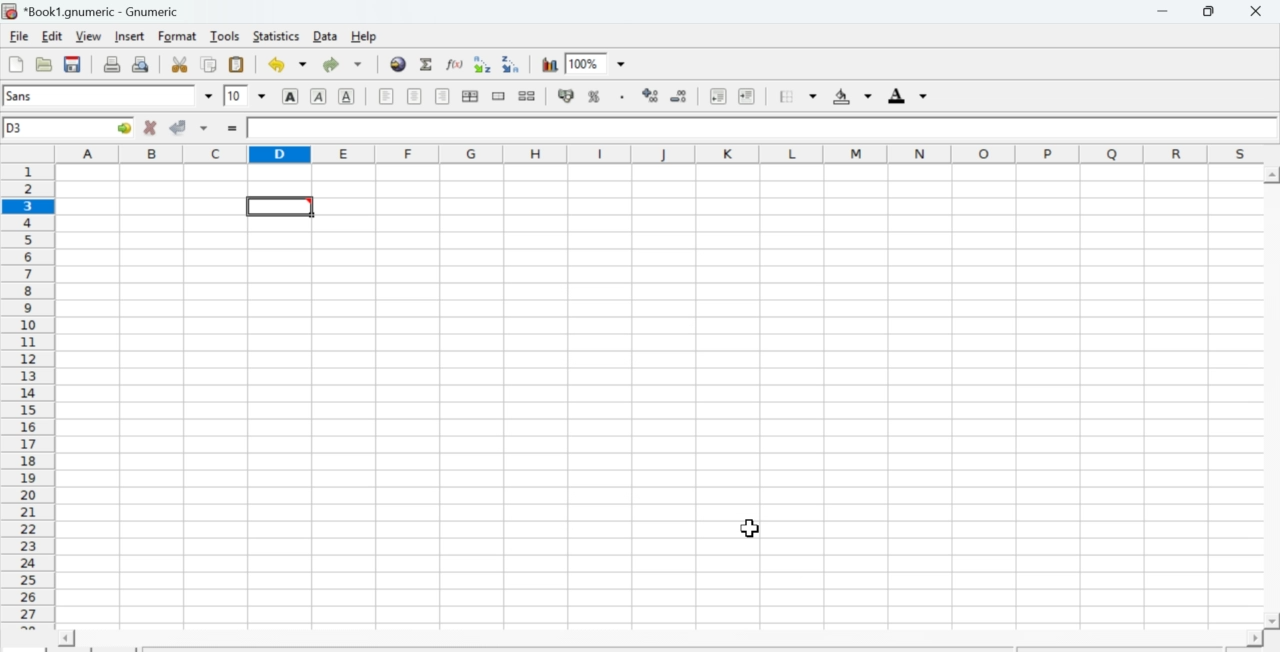 Image resolution: width=1280 pixels, height=652 pixels. I want to click on Close, so click(1257, 12).